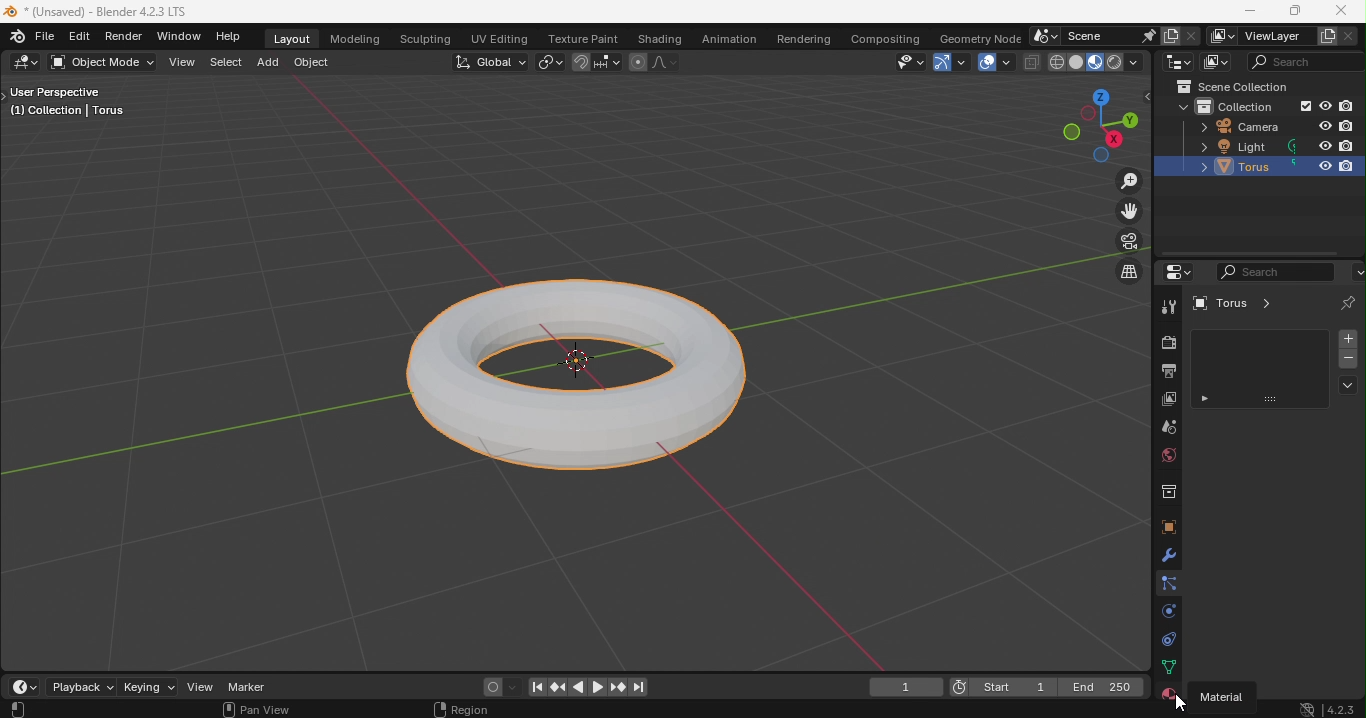  What do you see at coordinates (1347, 126) in the screenshot?
I see `Disable in renders` at bounding box center [1347, 126].